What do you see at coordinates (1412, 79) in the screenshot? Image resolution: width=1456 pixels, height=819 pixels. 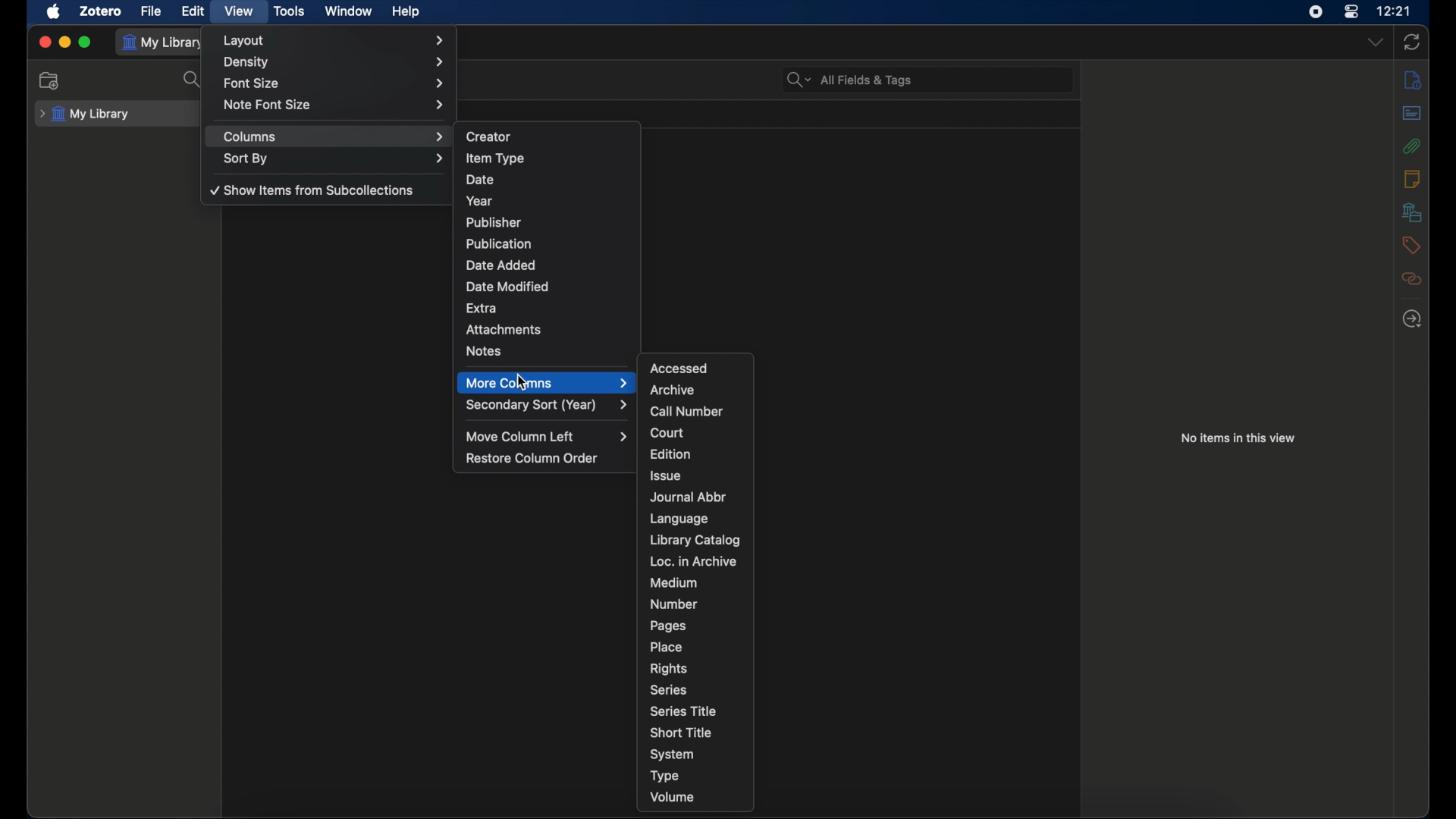 I see `info` at bounding box center [1412, 79].